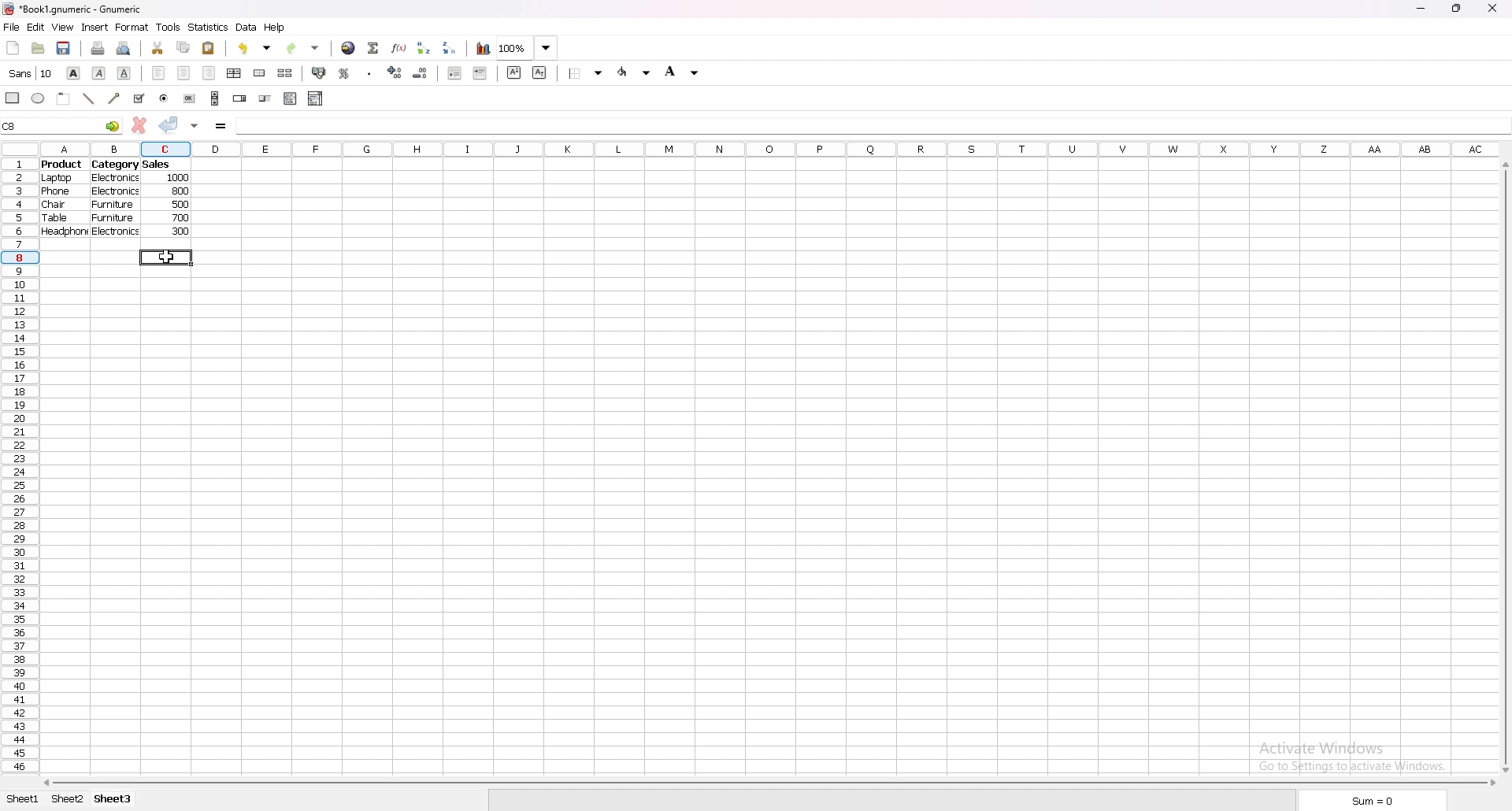 The width and height of the screenshot is (1512, 811). Describe the element at coordinates (1492, 9) in the screenshot. I see `close` at that location.